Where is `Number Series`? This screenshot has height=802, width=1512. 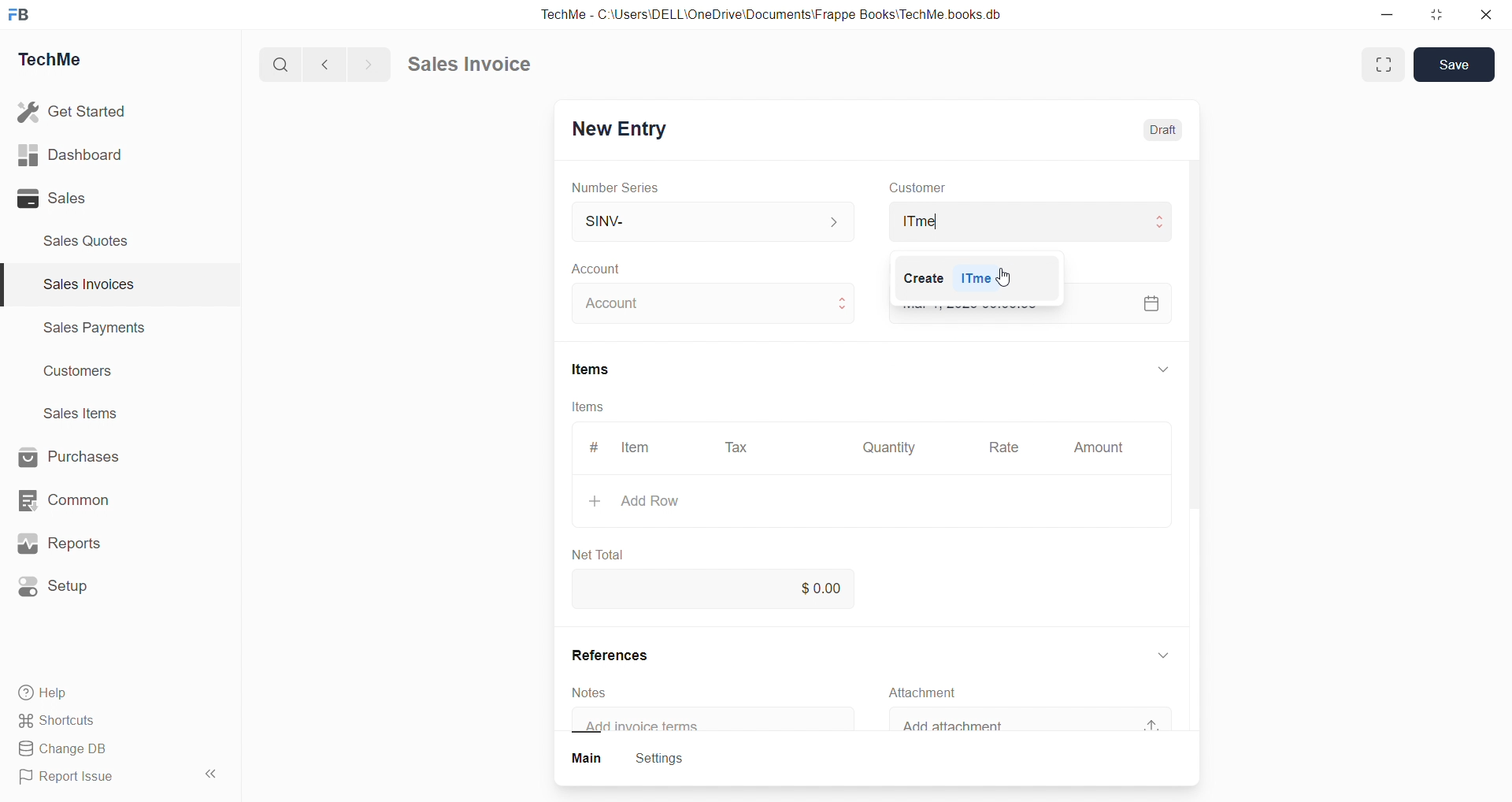
Number Series is located at coordinates (626, 188).